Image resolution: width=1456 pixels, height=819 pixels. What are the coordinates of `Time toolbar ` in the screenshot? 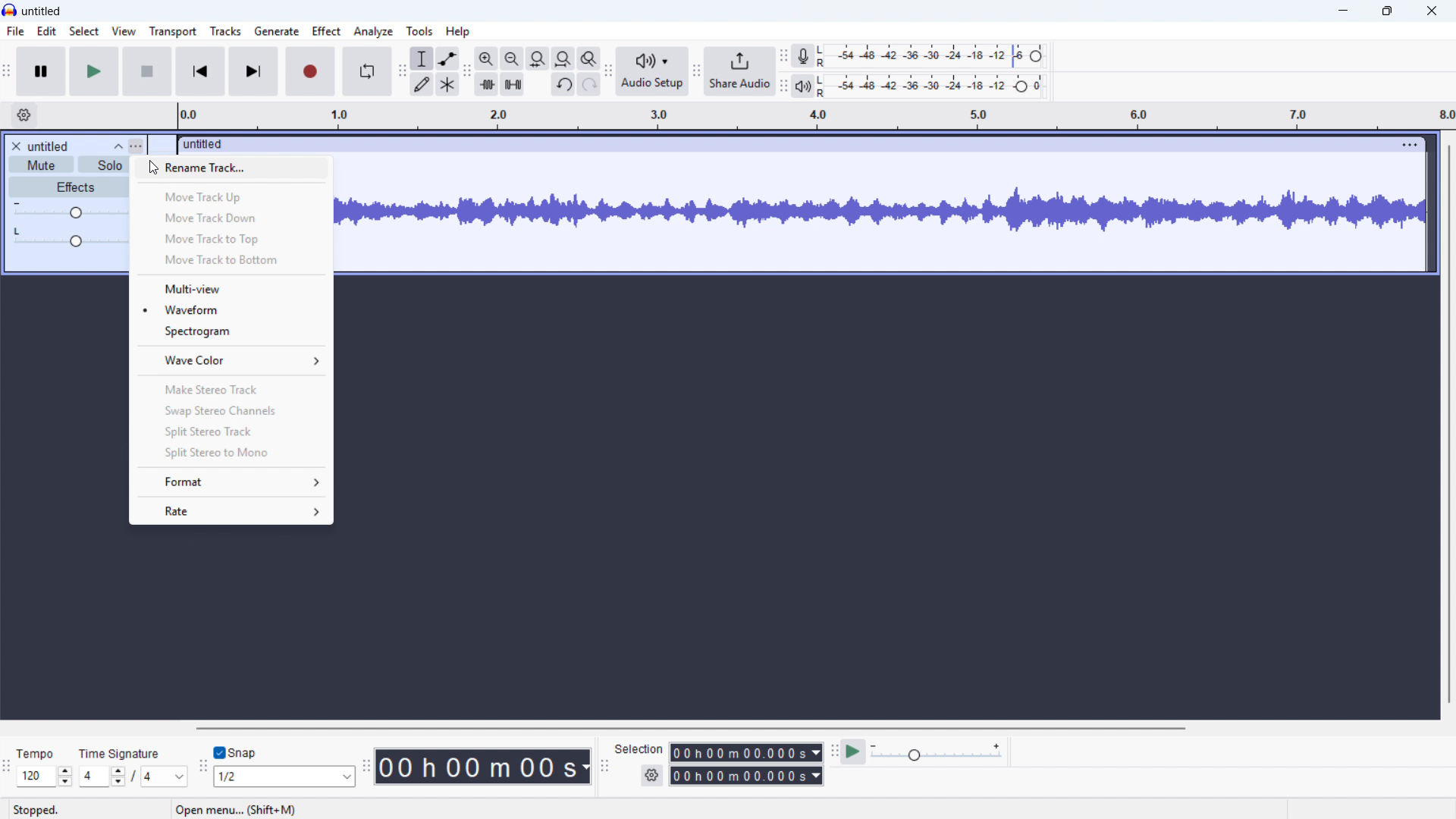 It's located at (366, 768).